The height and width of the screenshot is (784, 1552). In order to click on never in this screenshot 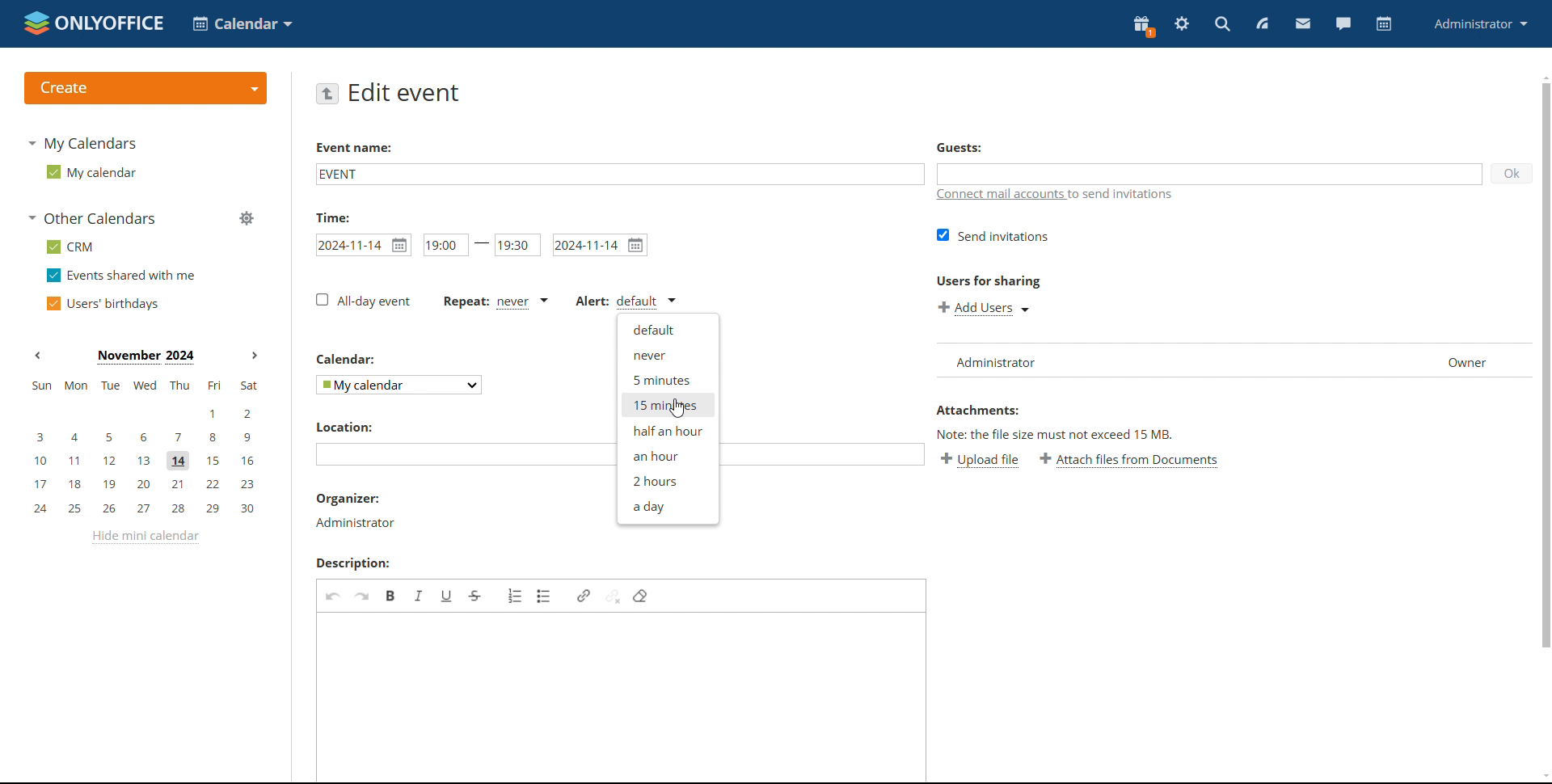, I will do `click(668, 355)`.